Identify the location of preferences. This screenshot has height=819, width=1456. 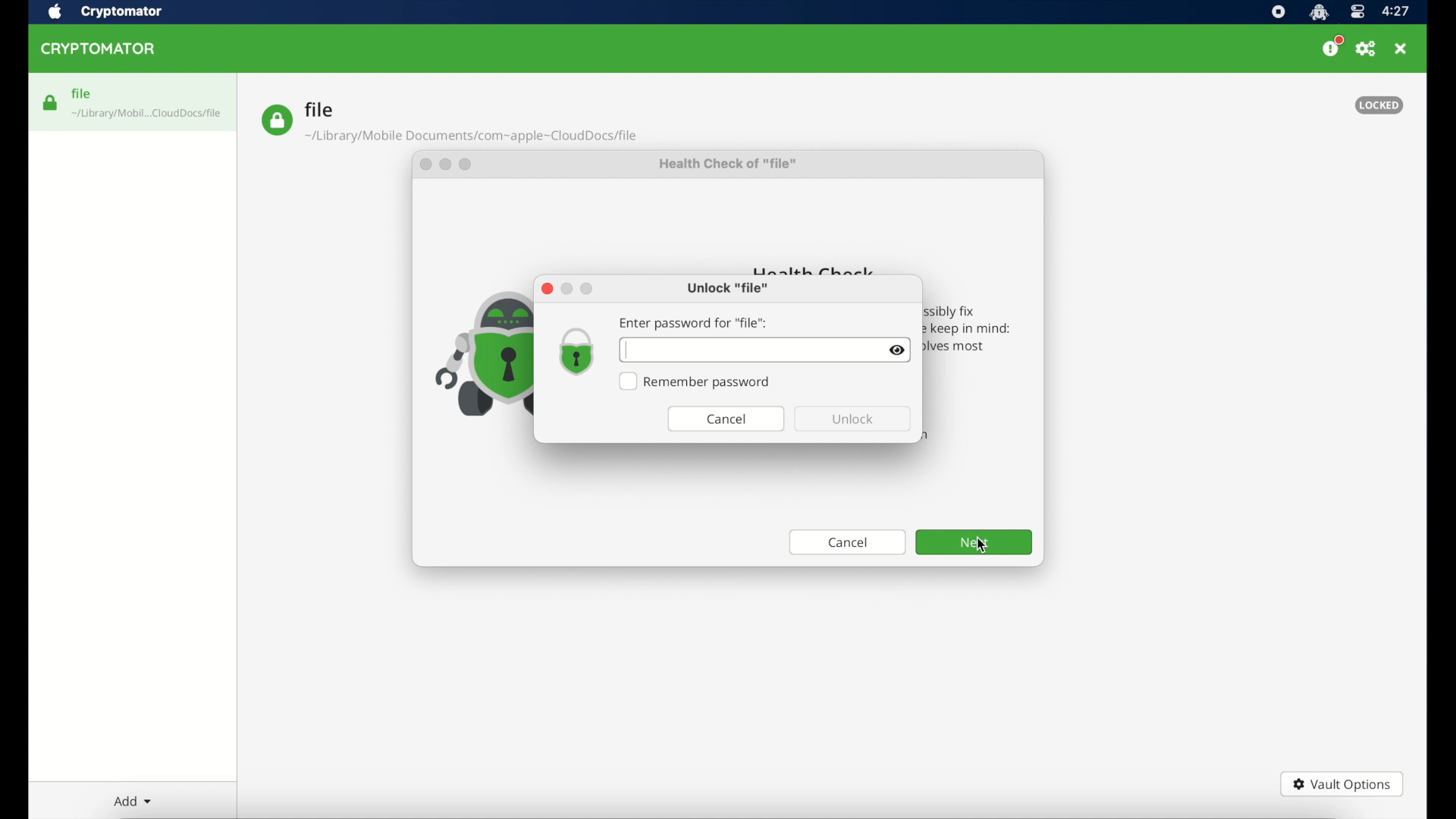
(1367, 49).